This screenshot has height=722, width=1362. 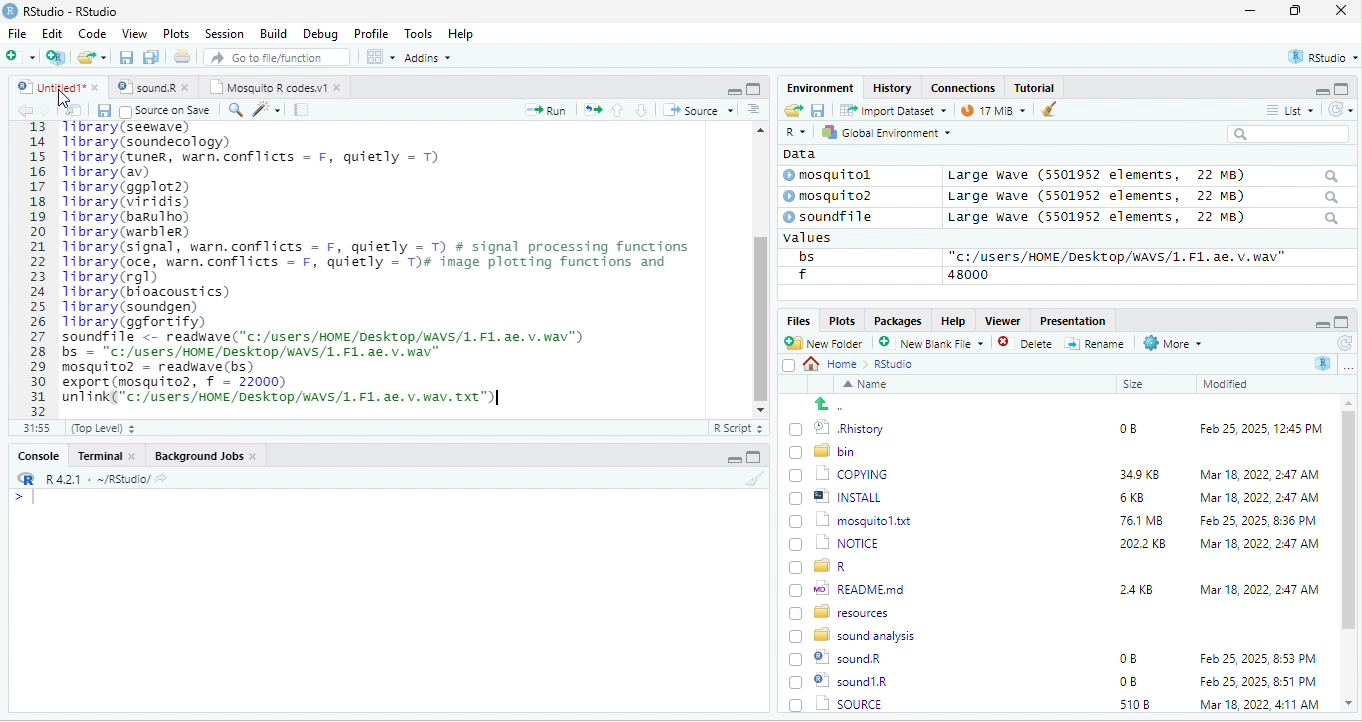 What do you see at coordinates (1349, 554) in the screenshot?
I see `scroll bar` at bounding box center [1349, 554].